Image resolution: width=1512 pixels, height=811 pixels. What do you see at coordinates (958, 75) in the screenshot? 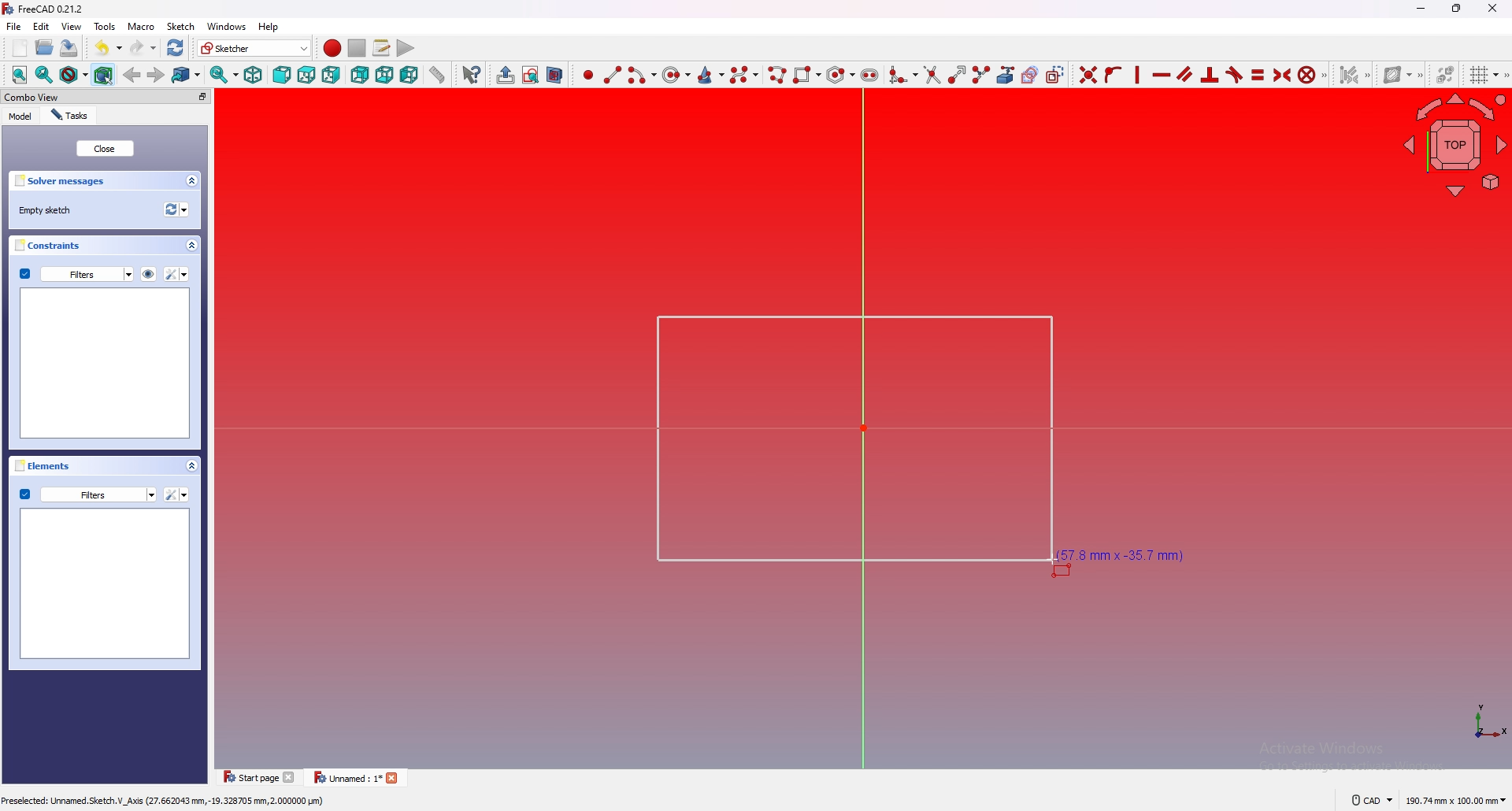
I see `extend edge` at bounding box center [958, 75].